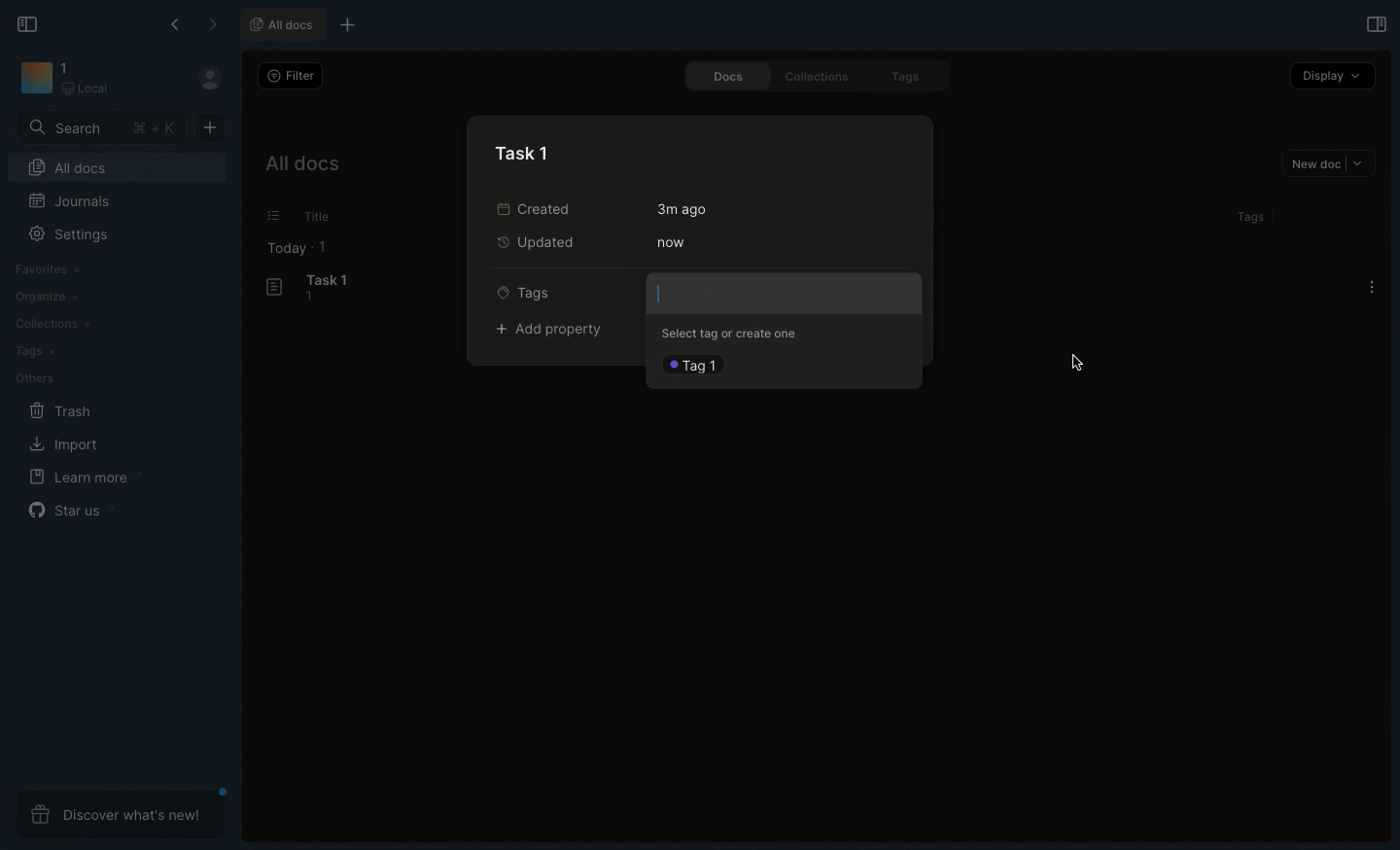 This screenshot has height=850, width=1400. What do you see at coordinates (325, 216) in the screenshot?
I see `Title` at bounding box center [325, 216].